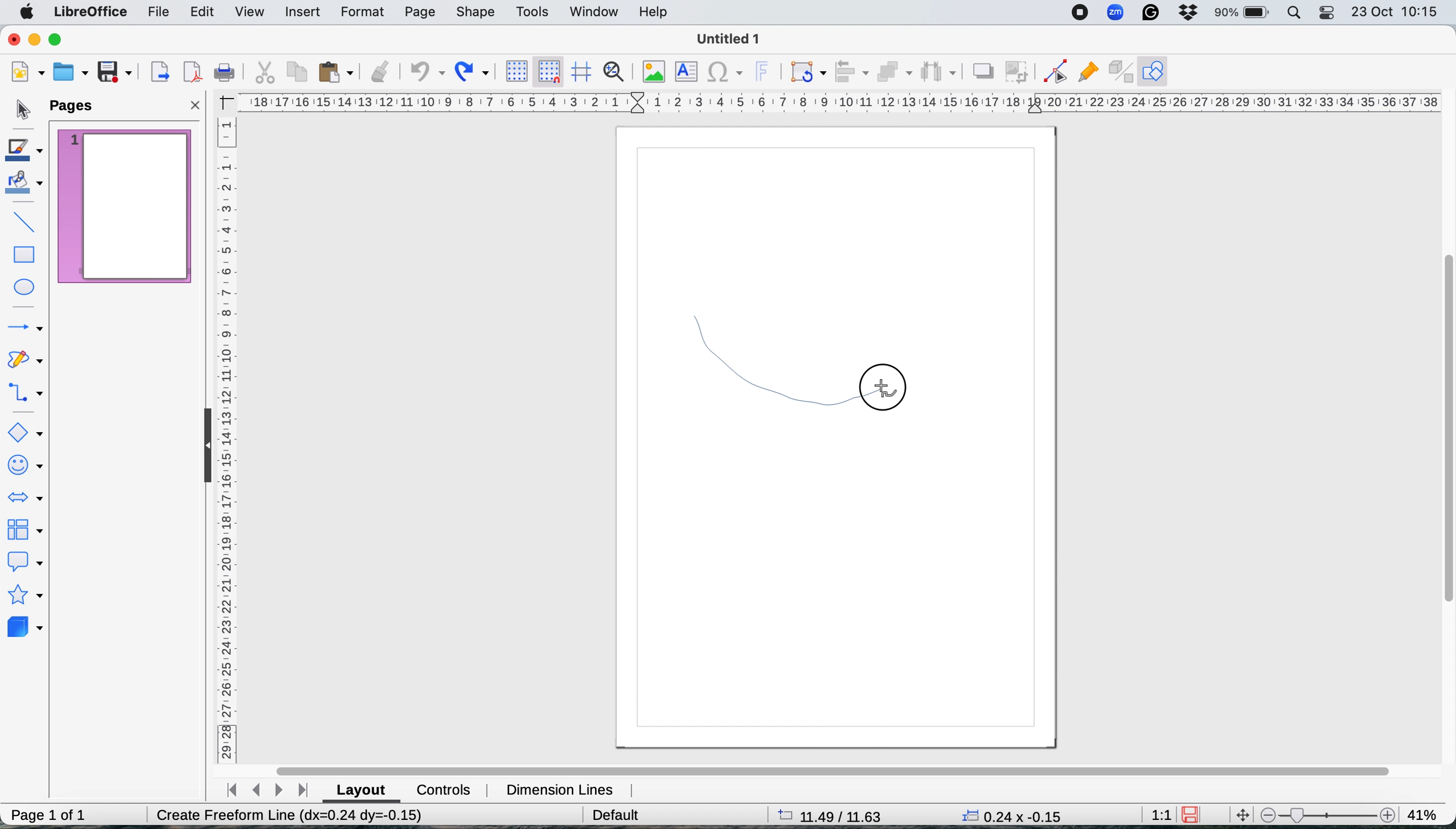  What do you see at coordinates (26, 433) in the screenshot?
I see `basic shapes` at bounding box center [26, 433].